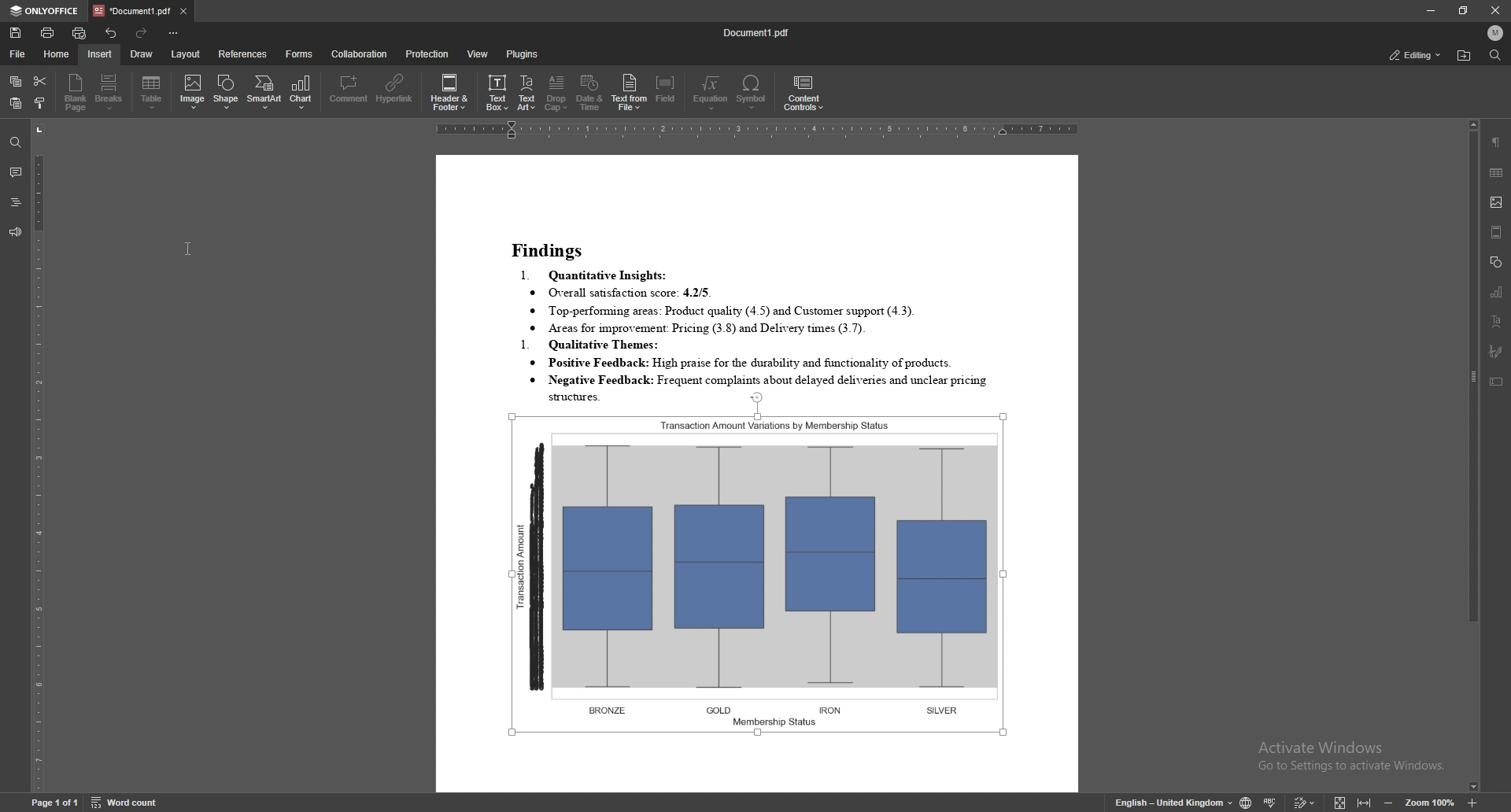 The height and width of the screenshot is (812, 1511). I want to click on header and footer, so click(1497, 232).